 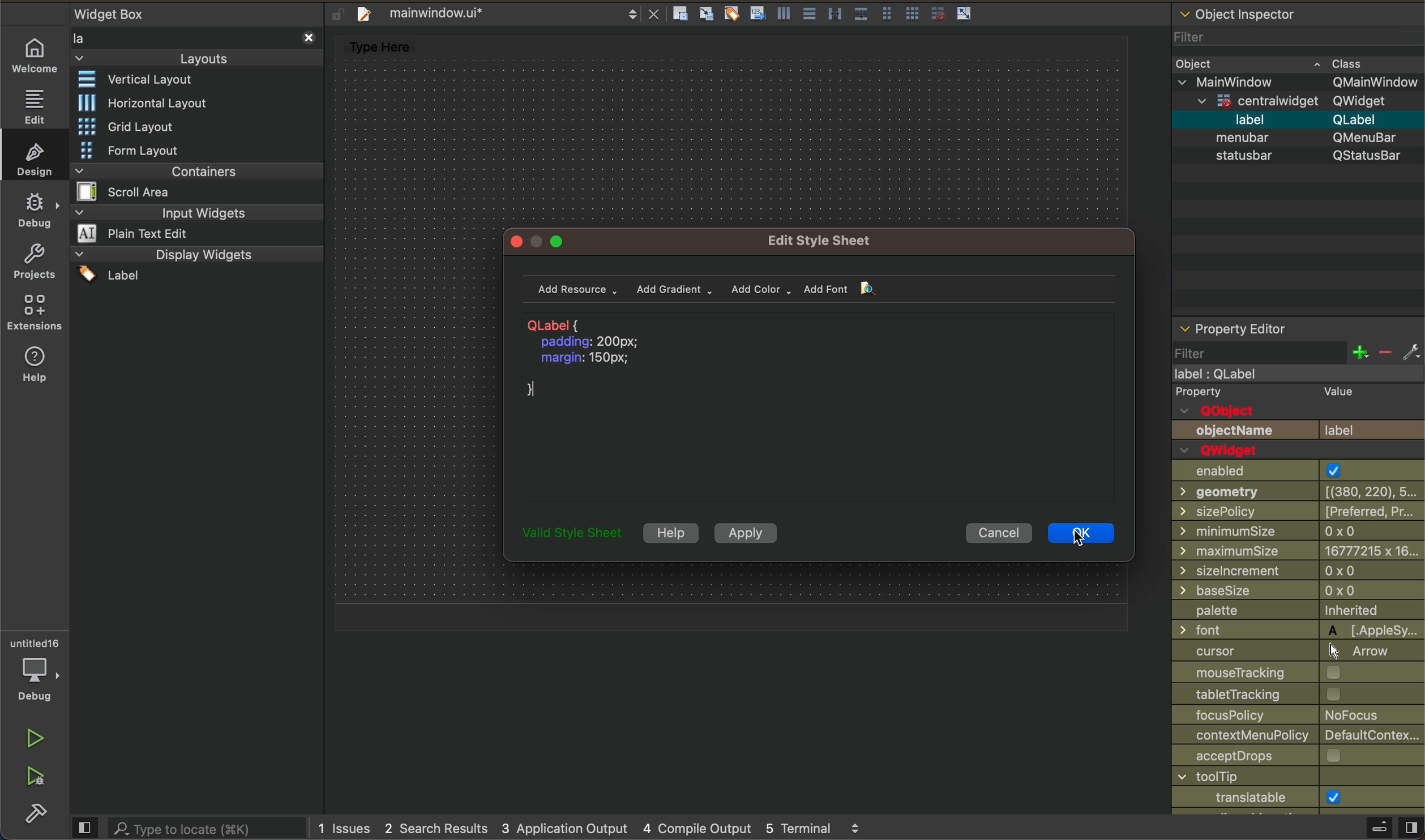 What do you see at coordinates (1304, 136) in the screenshot?
I see `menbar` at bounding box center [1304, 136].